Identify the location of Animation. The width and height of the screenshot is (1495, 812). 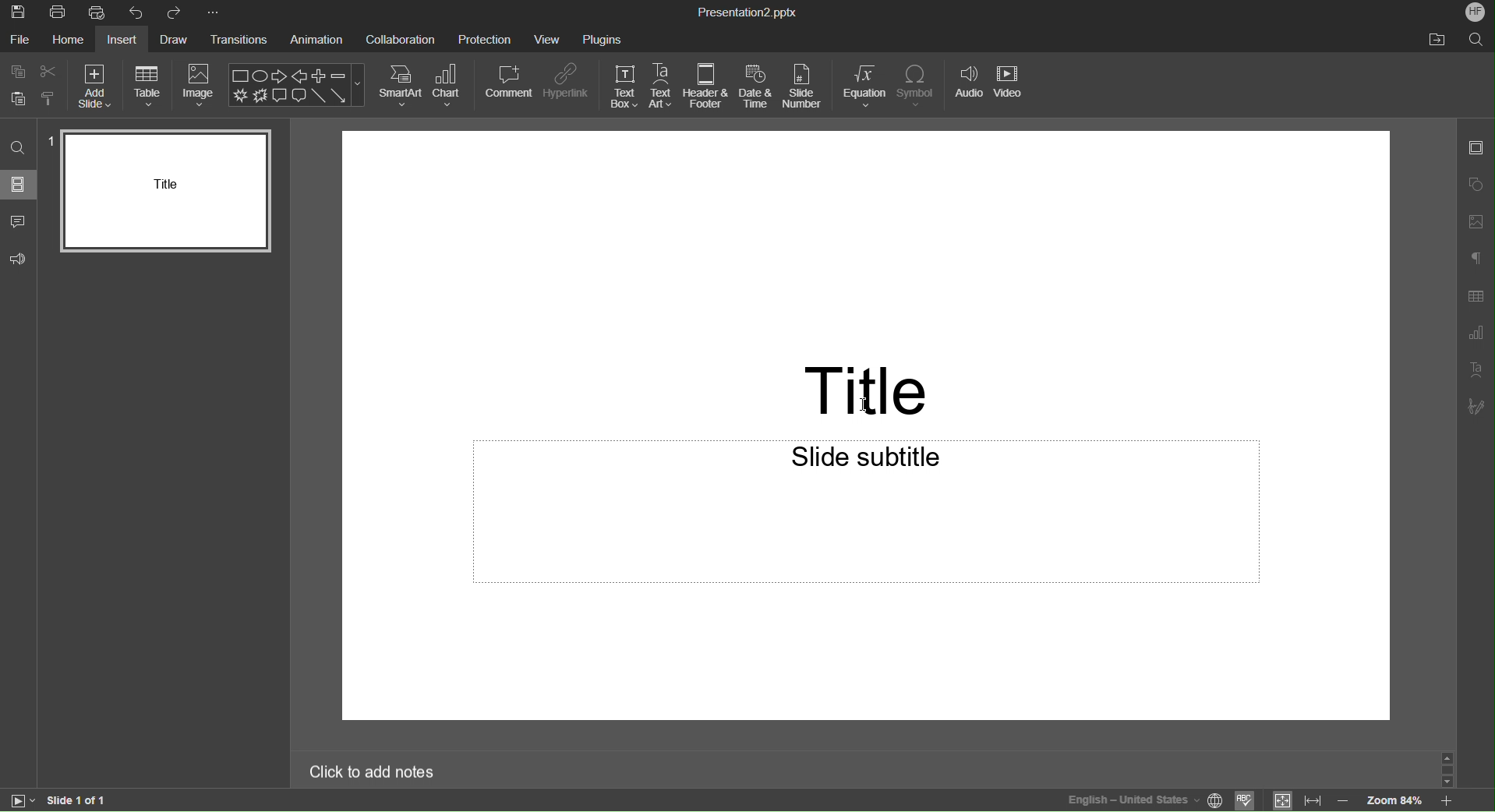
(314, 40).